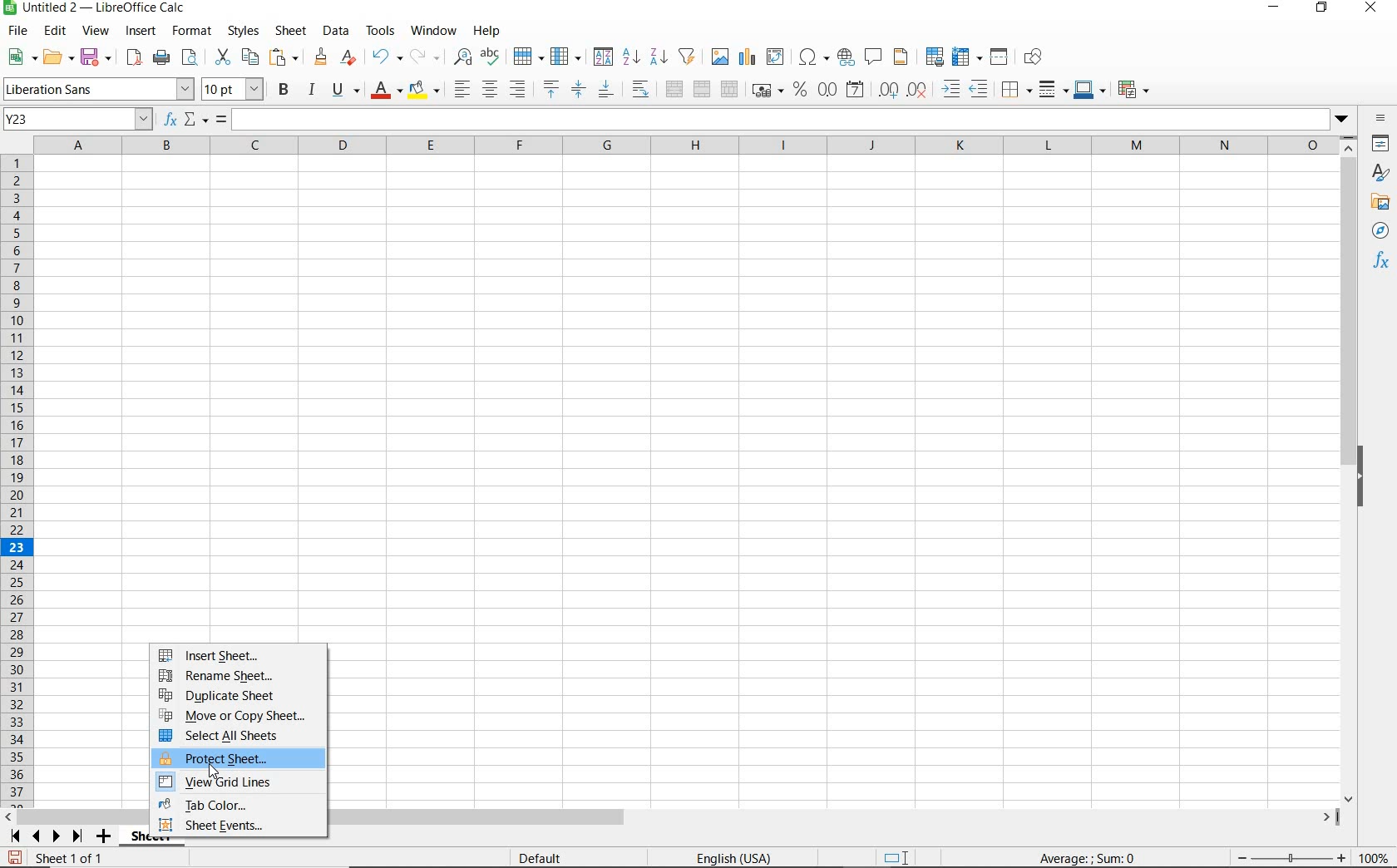  What do you see at coordinates (190, 30) in the screenshot?
I see `FORMAT` at bounding box center [190, 30].